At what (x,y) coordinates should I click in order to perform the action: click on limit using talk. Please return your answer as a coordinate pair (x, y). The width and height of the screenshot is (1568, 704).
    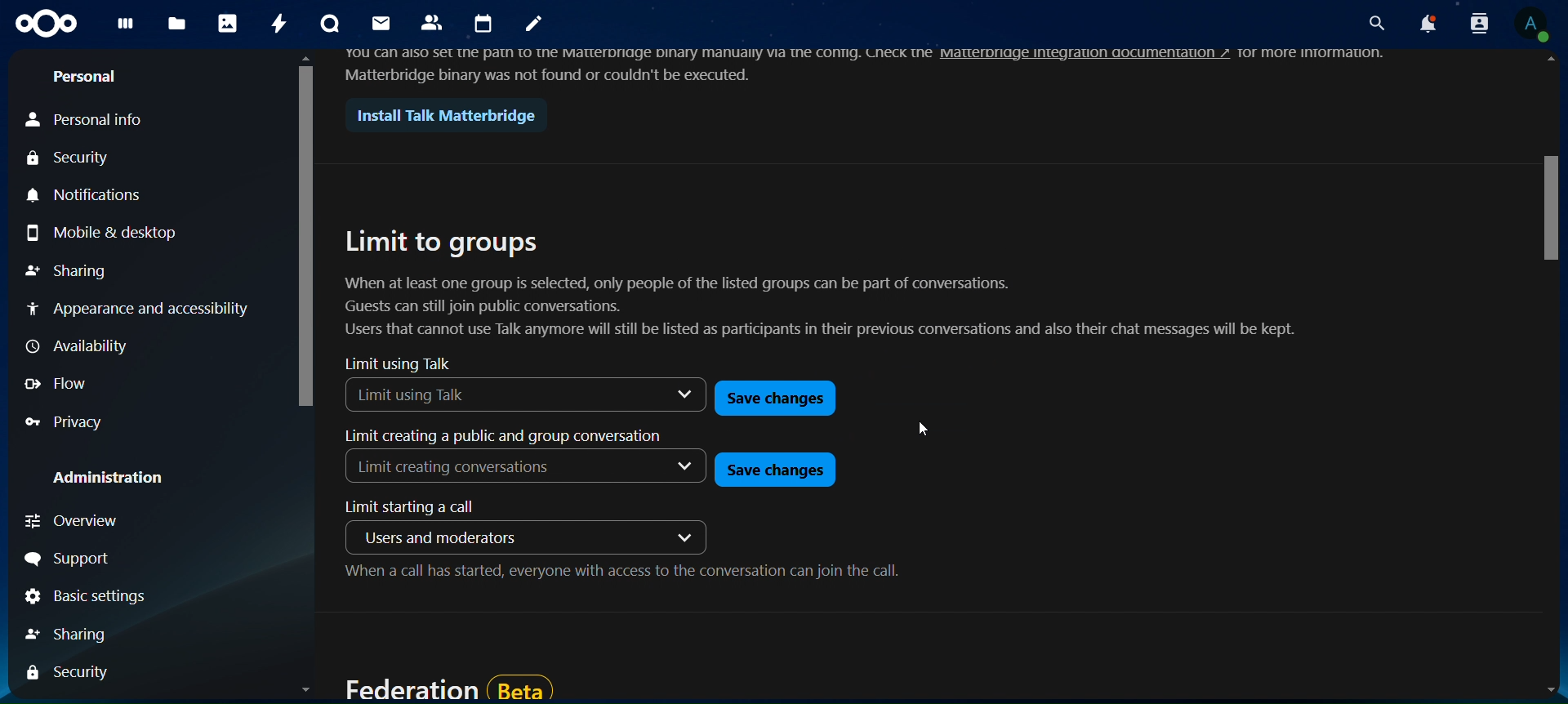
    Looking at the image, I should click on (399, 363).